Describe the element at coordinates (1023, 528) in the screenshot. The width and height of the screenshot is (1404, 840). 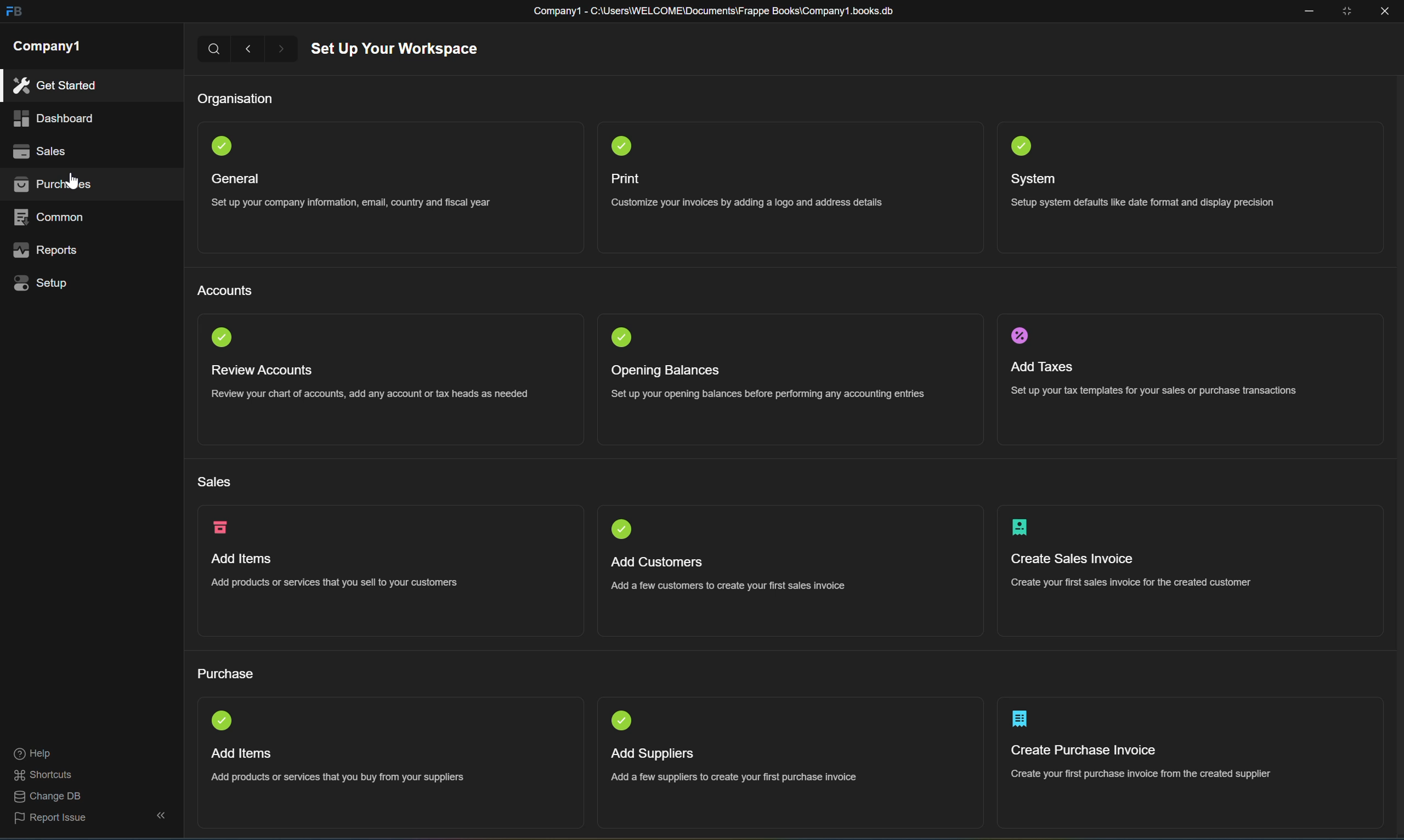
I see `logo` at that location.